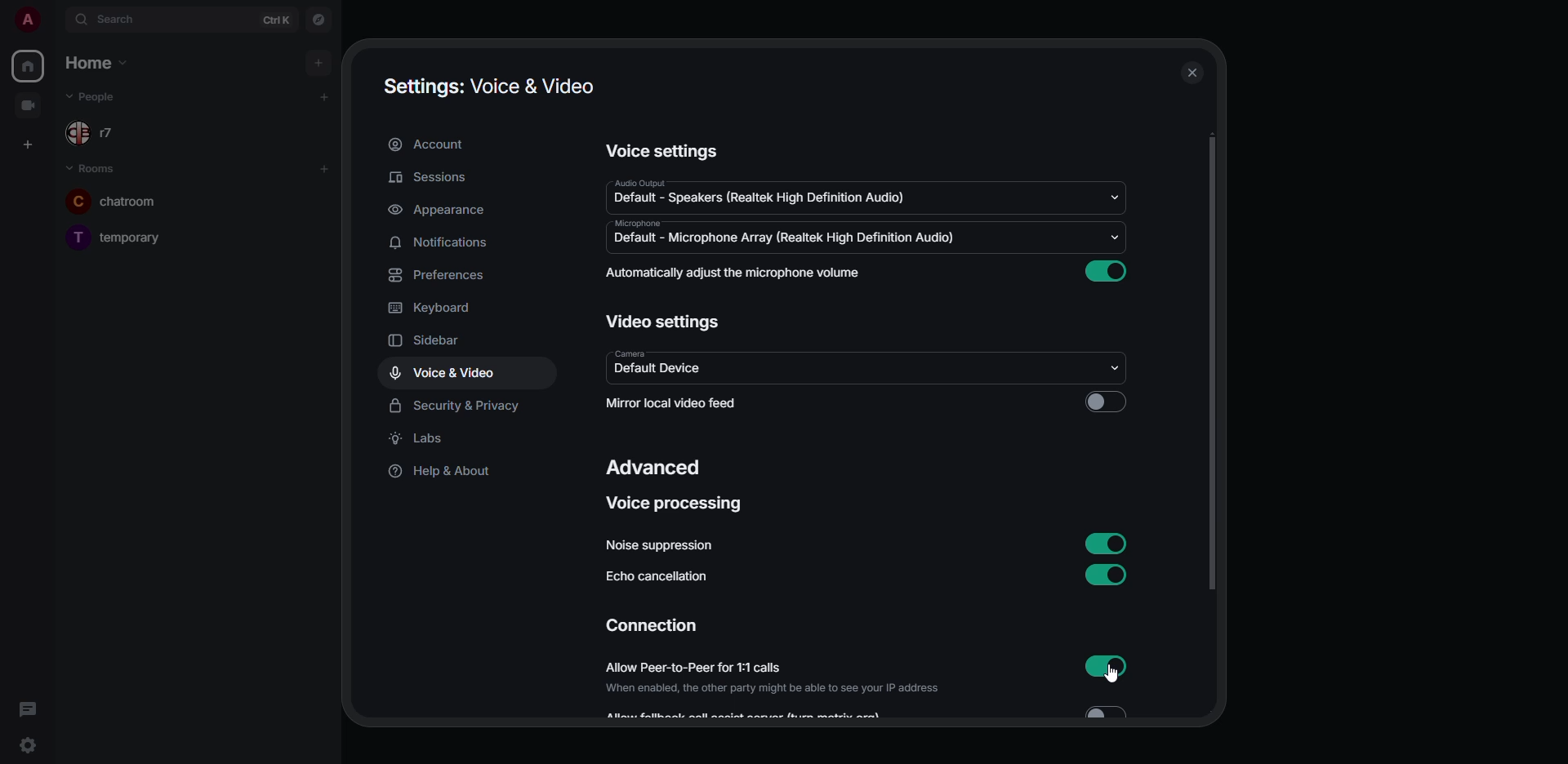  I want to click on microphone, so click(637, 223).